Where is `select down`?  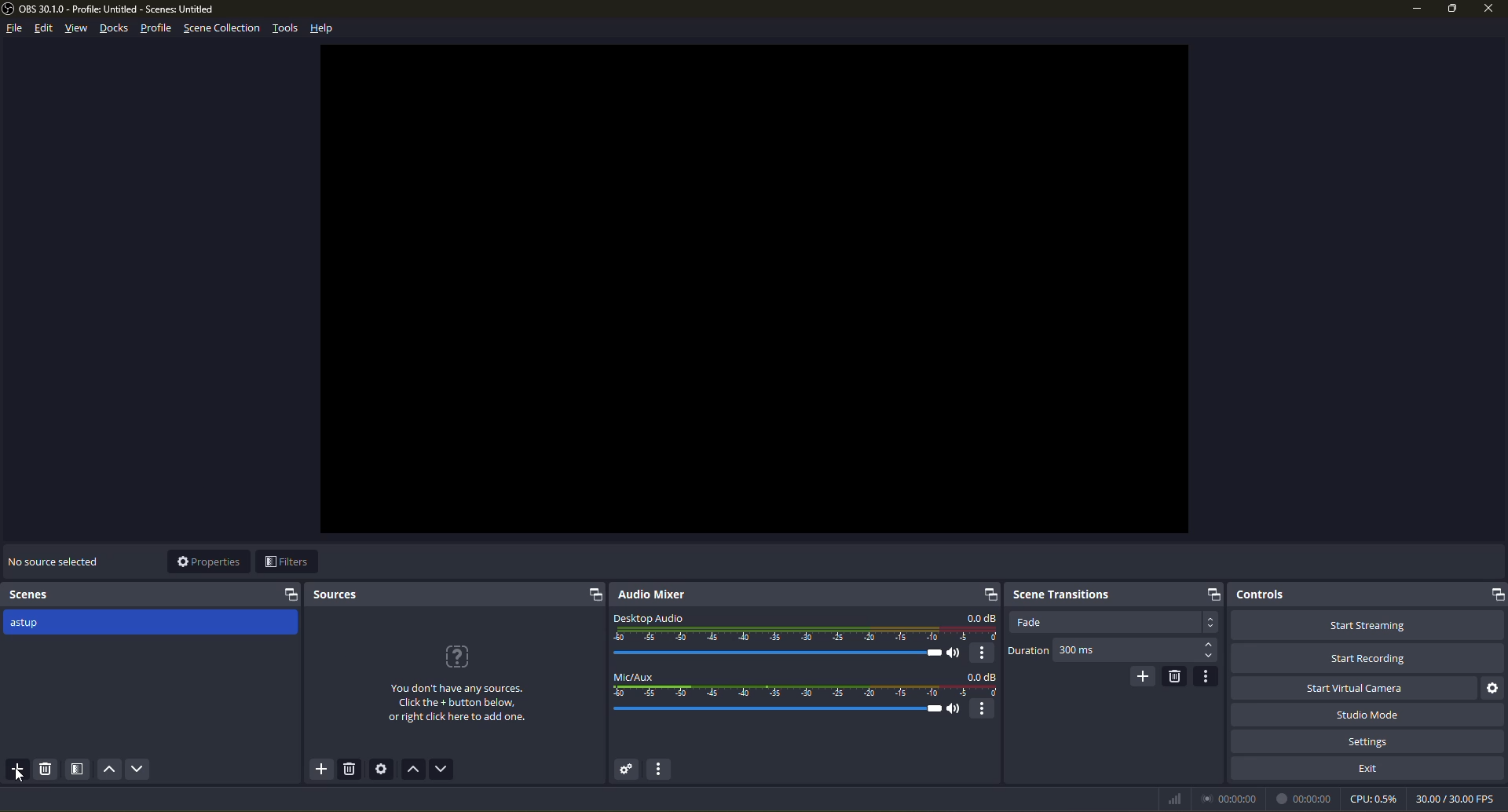 select down is located at coordinates (1210, 657).